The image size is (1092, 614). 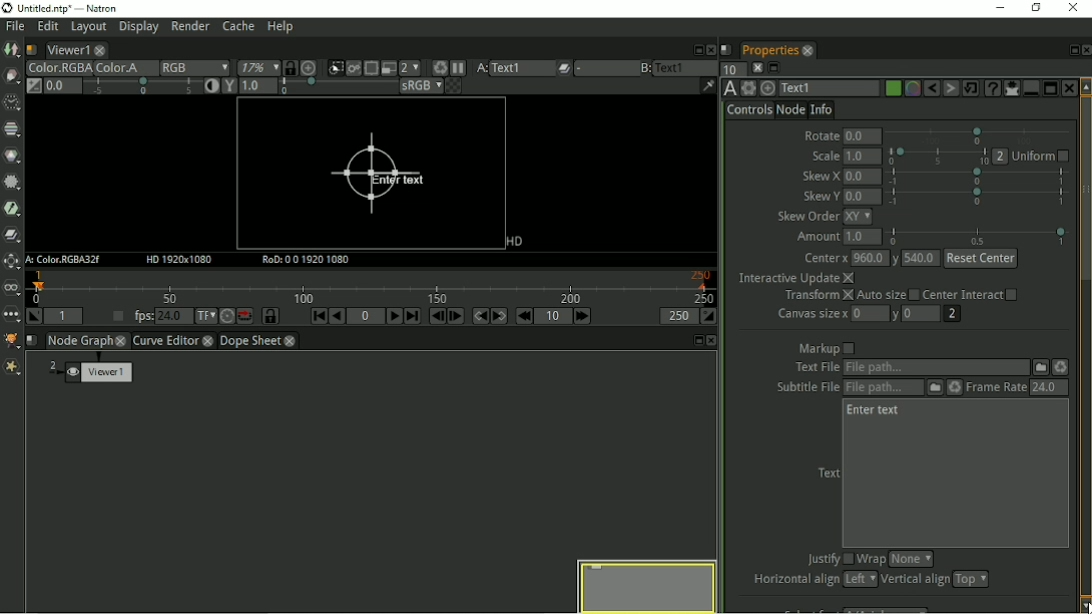 What do you see at coordinates (827, 559) in the screenshot?
I see `Justify` at bounding box center [827, 559].